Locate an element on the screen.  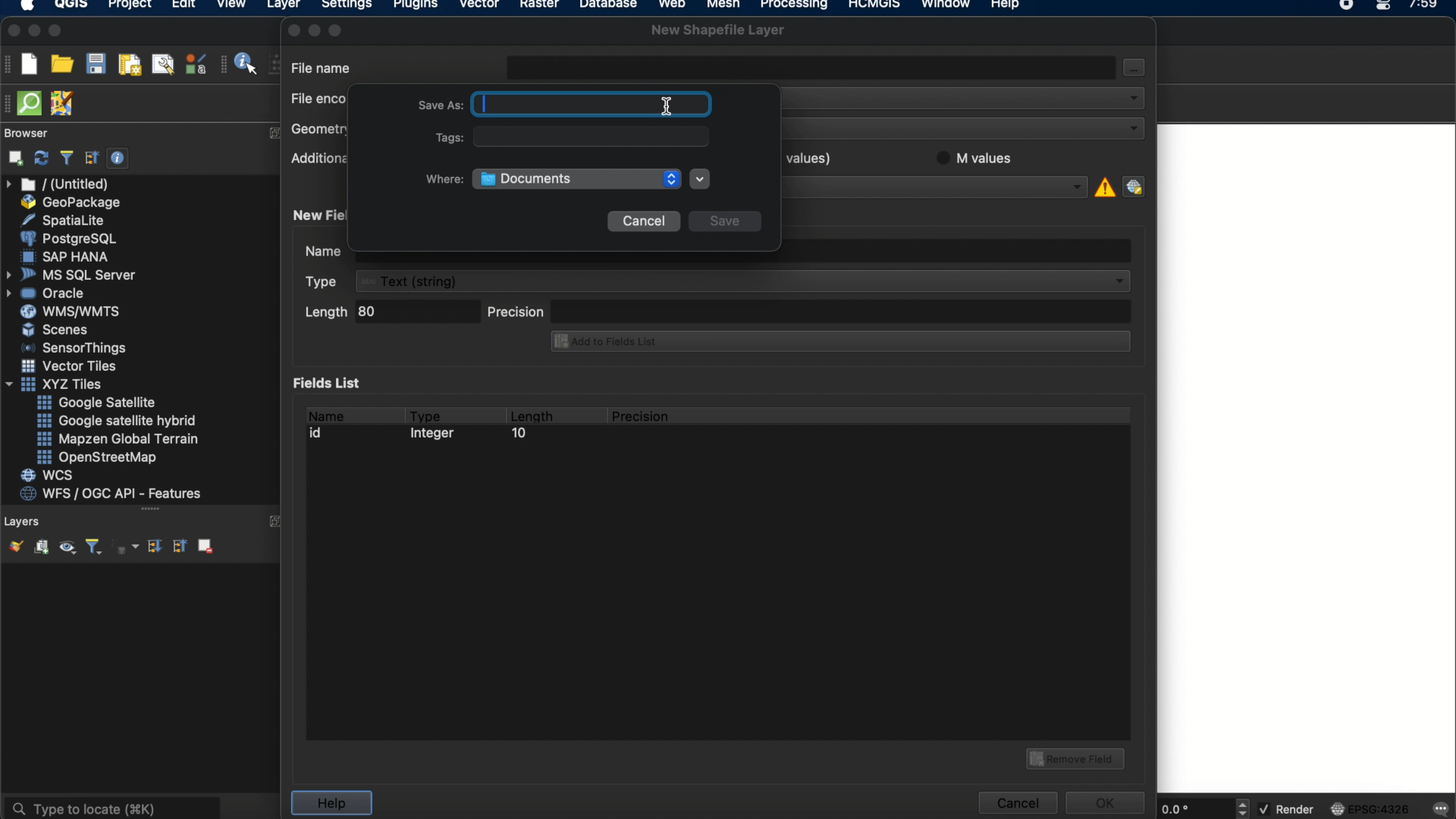
QGIS is located at coordinates (72, 6).